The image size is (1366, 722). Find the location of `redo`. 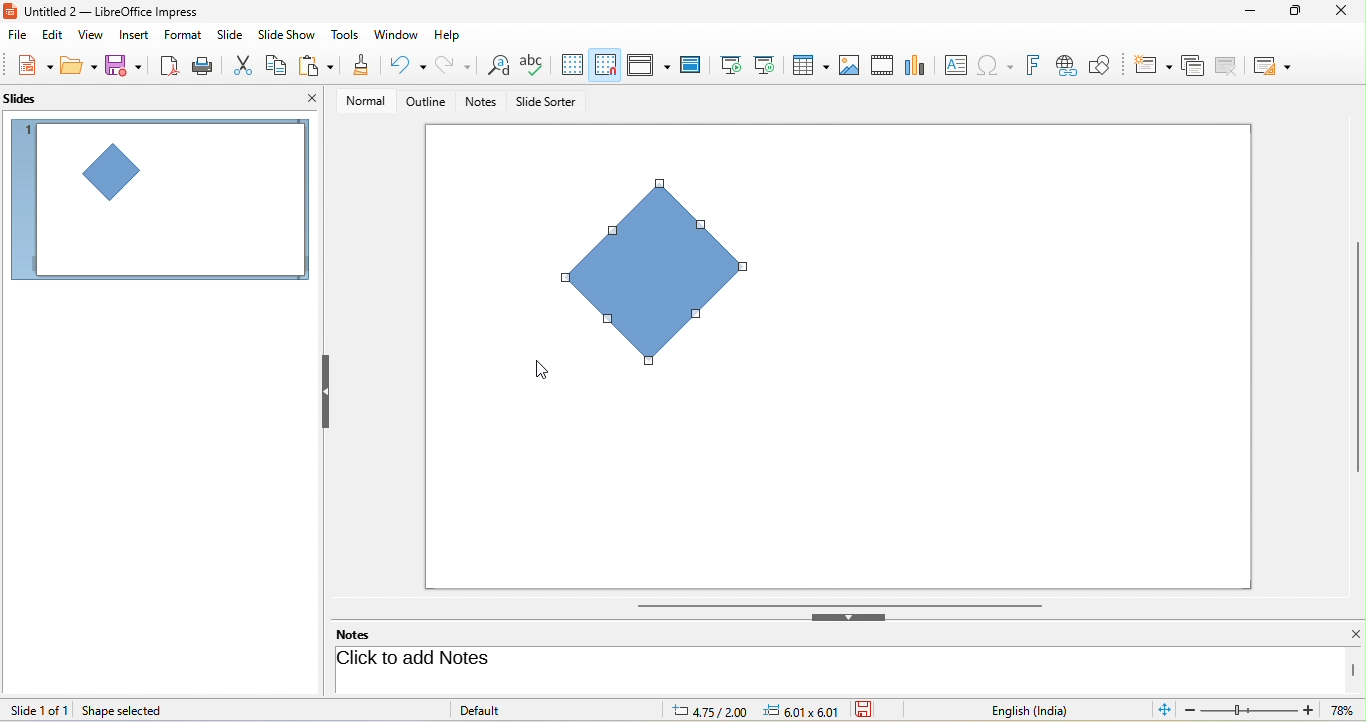

redo is located at coordinates (453, 66).